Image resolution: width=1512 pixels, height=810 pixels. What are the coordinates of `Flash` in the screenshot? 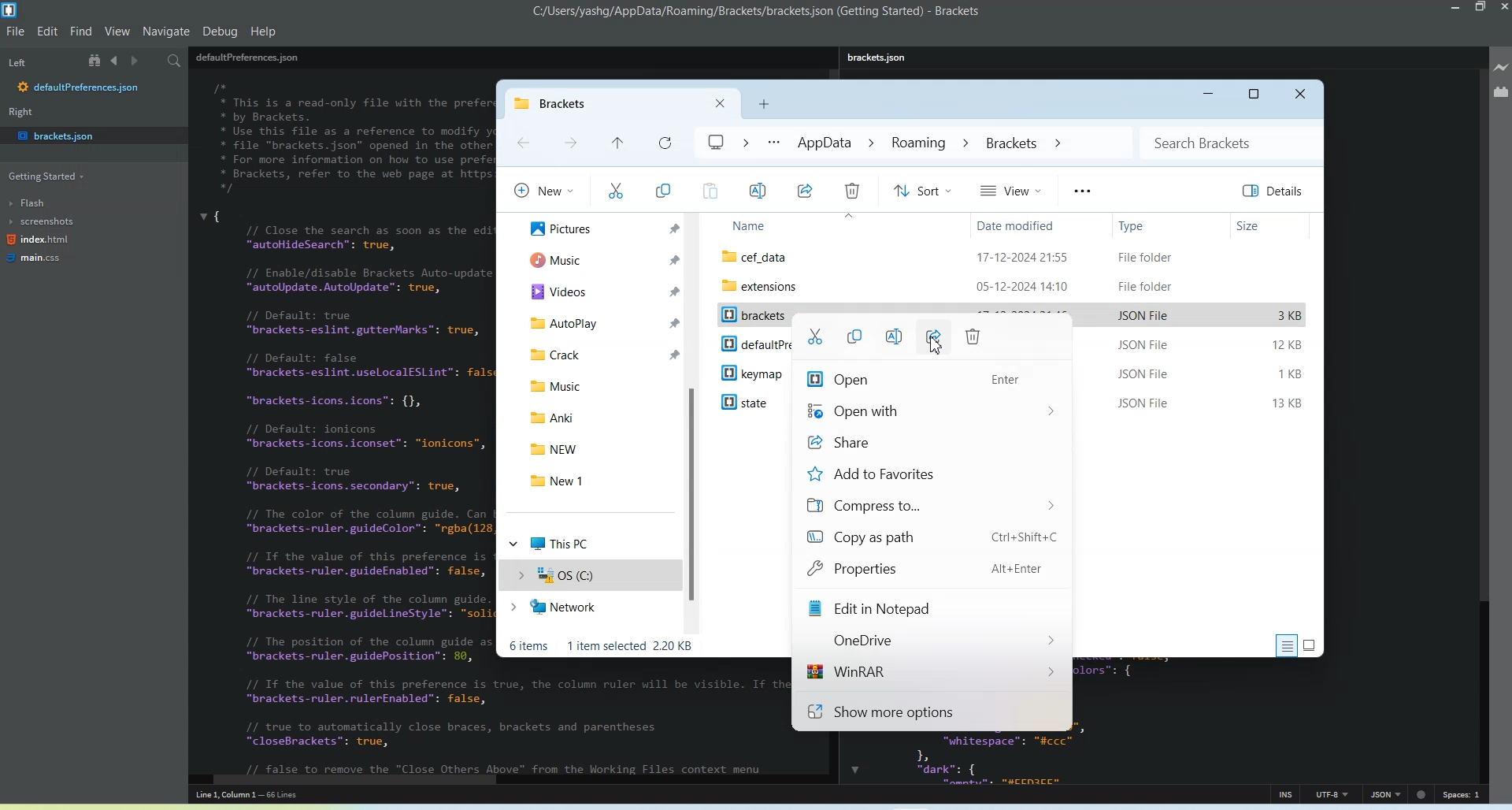 It's located at (38, 202).